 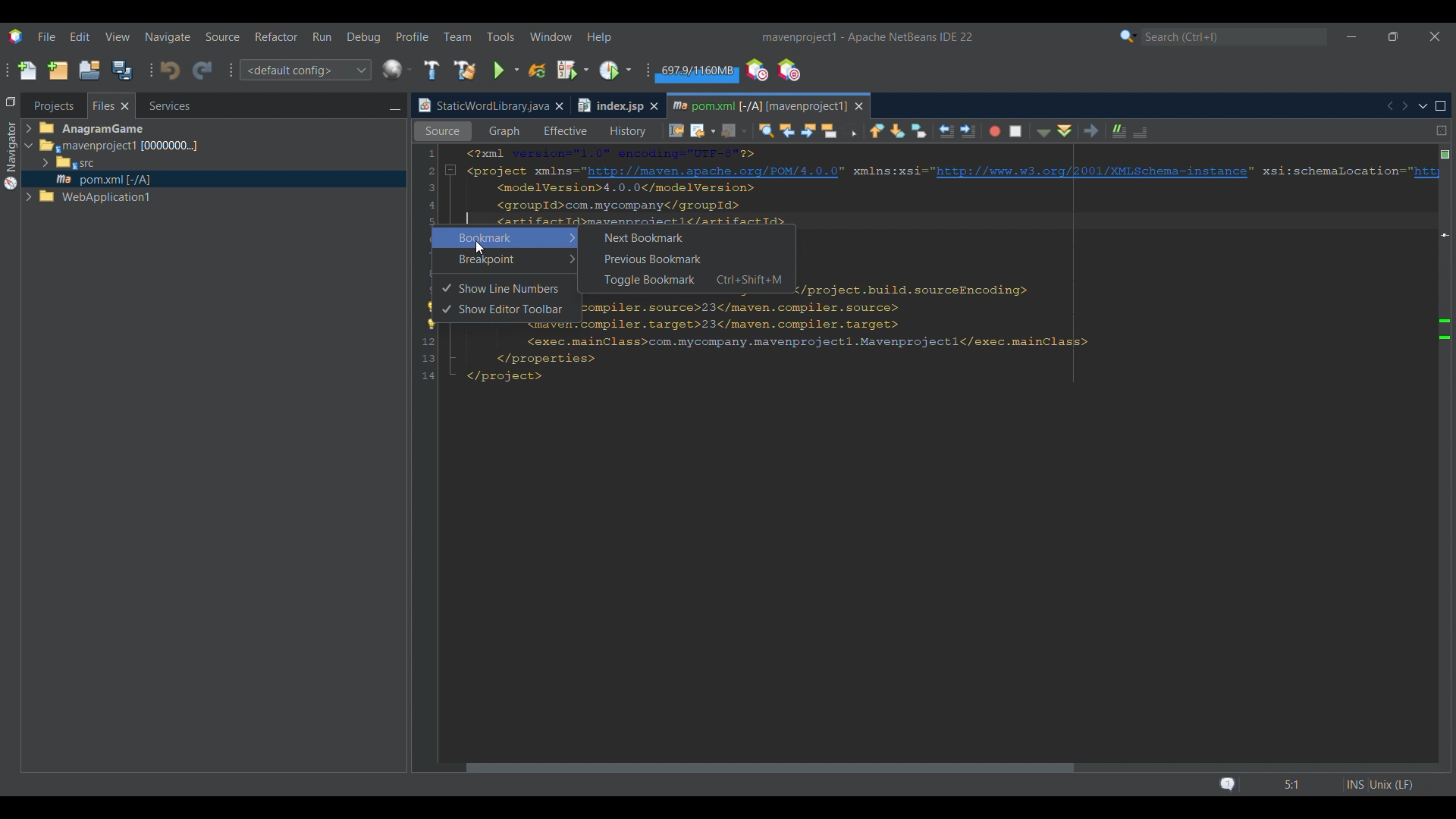 What do you see at coordinates (1404, 105) in the screenshot?
I see `Next` at bounding box center [1404, 105].